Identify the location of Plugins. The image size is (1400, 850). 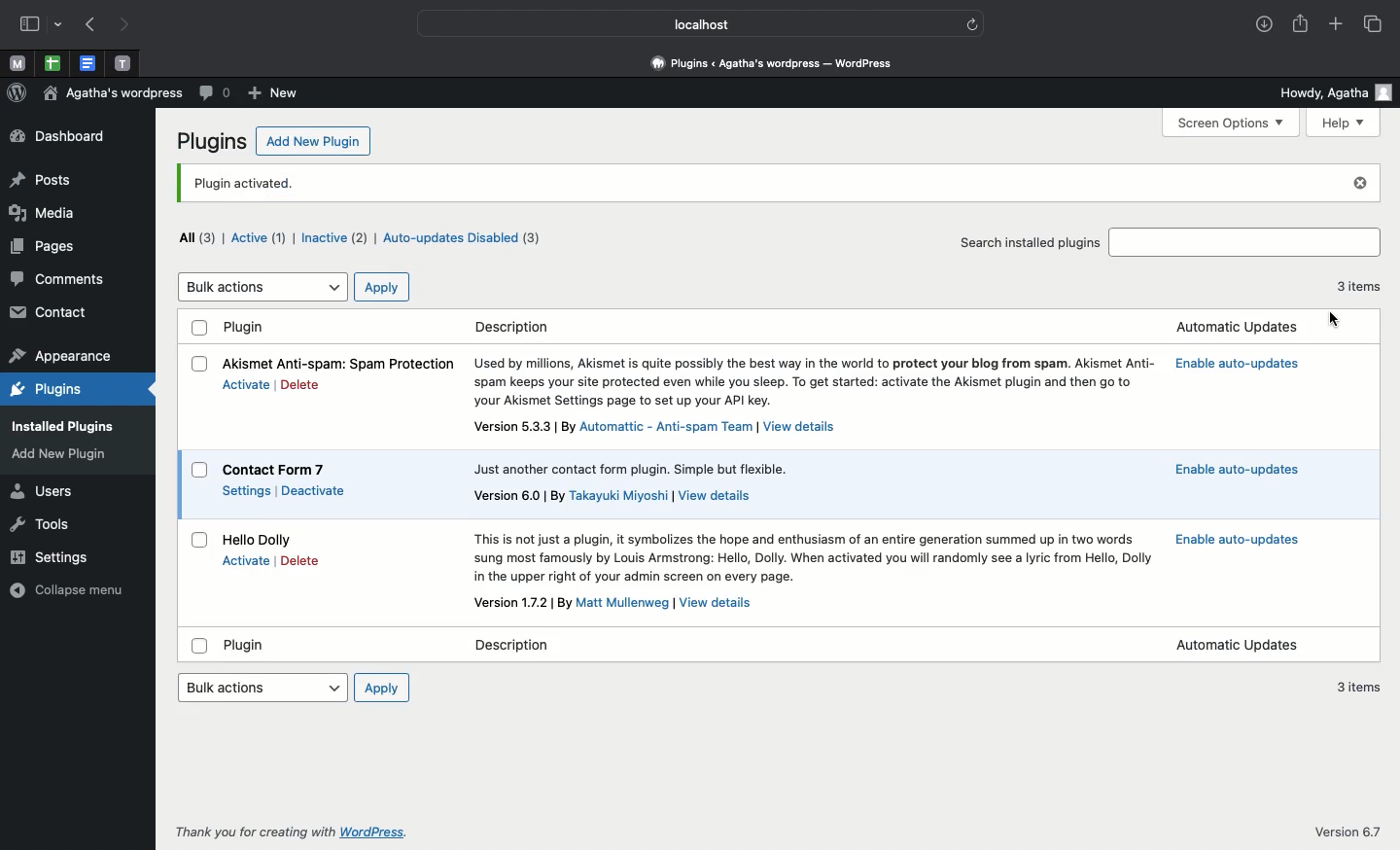
(212, 142).